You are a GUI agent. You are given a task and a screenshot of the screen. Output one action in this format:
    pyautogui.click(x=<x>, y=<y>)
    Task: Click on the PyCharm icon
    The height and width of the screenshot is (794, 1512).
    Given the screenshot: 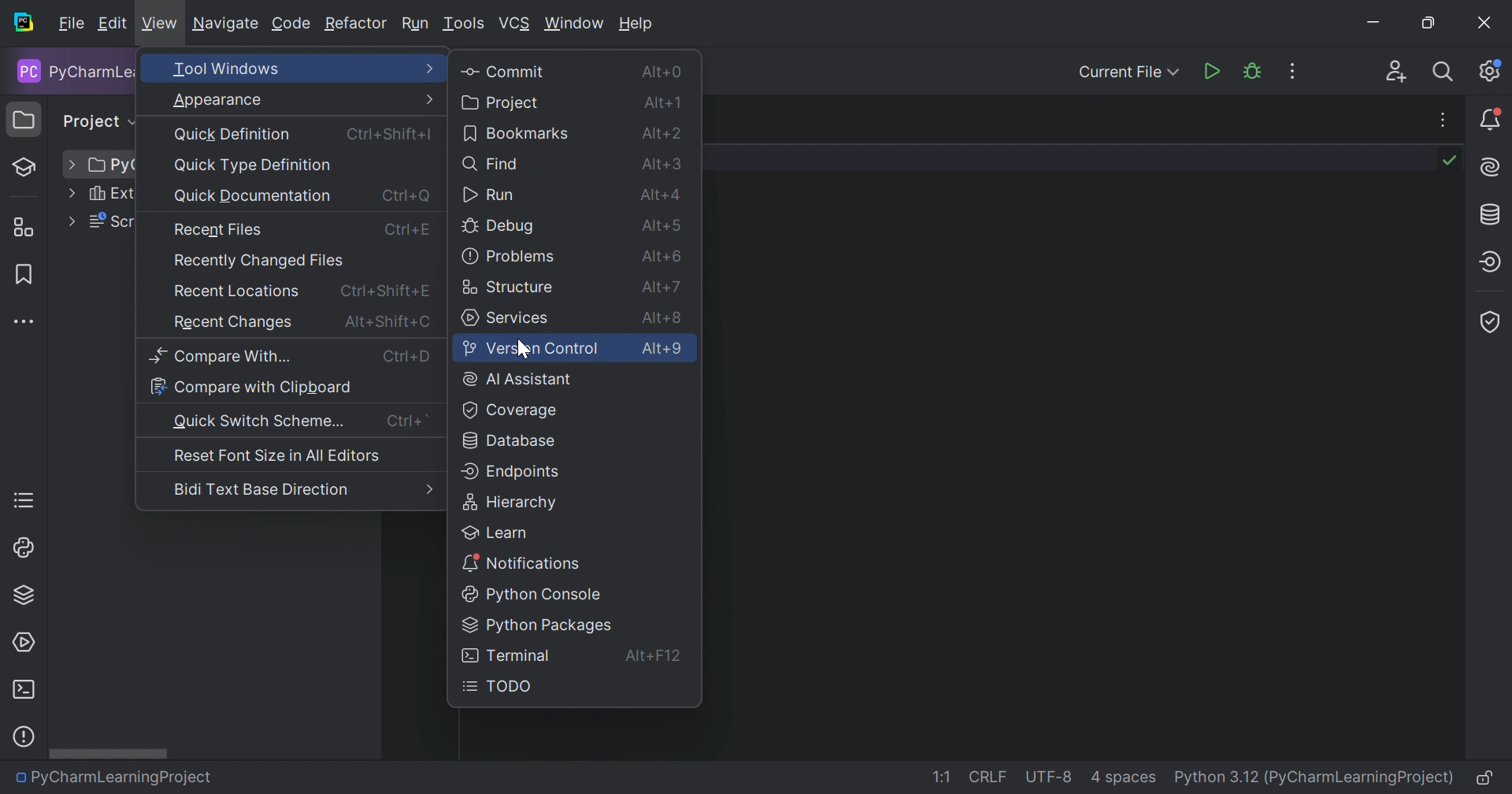 What is the action you would take?
    pyautogui.click(x=27, y=24)
    